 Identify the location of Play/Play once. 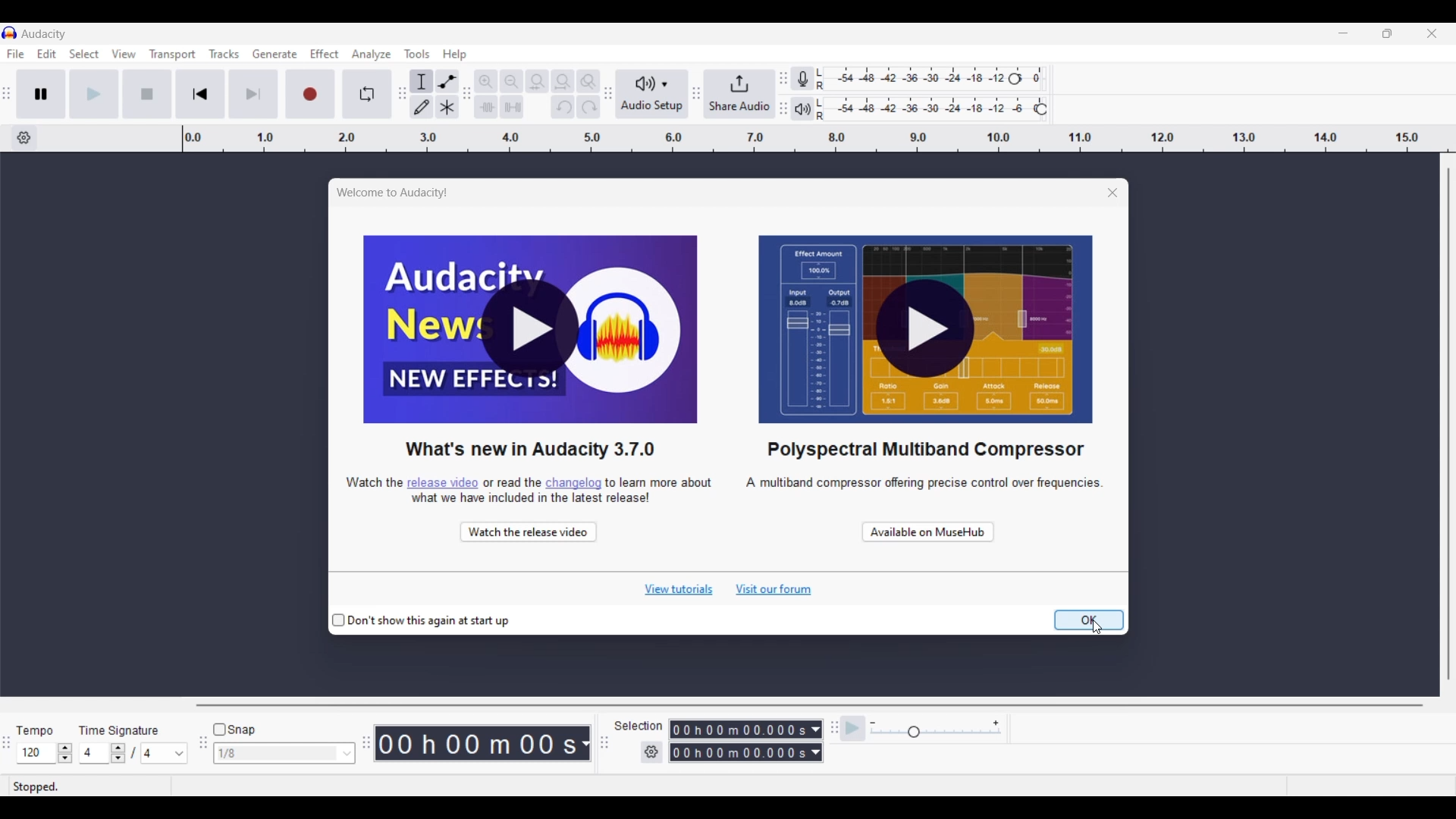
(93, 94).